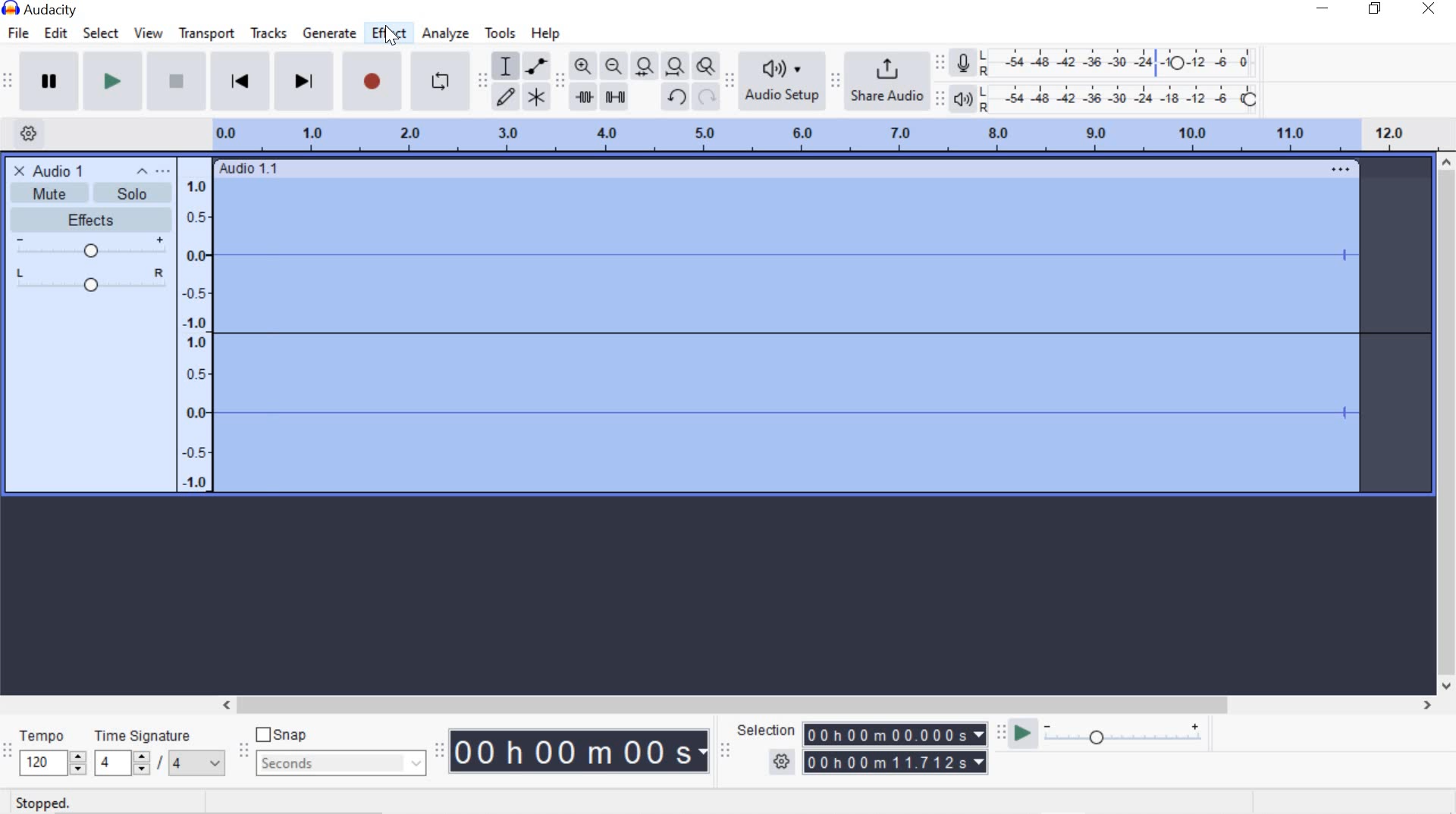 The width and height of the screenshot is (1456, 814). What do you see at coordinates (64, 170) in the screenshot?
I see `AUDIO 1` at bounding box center [64, 170].